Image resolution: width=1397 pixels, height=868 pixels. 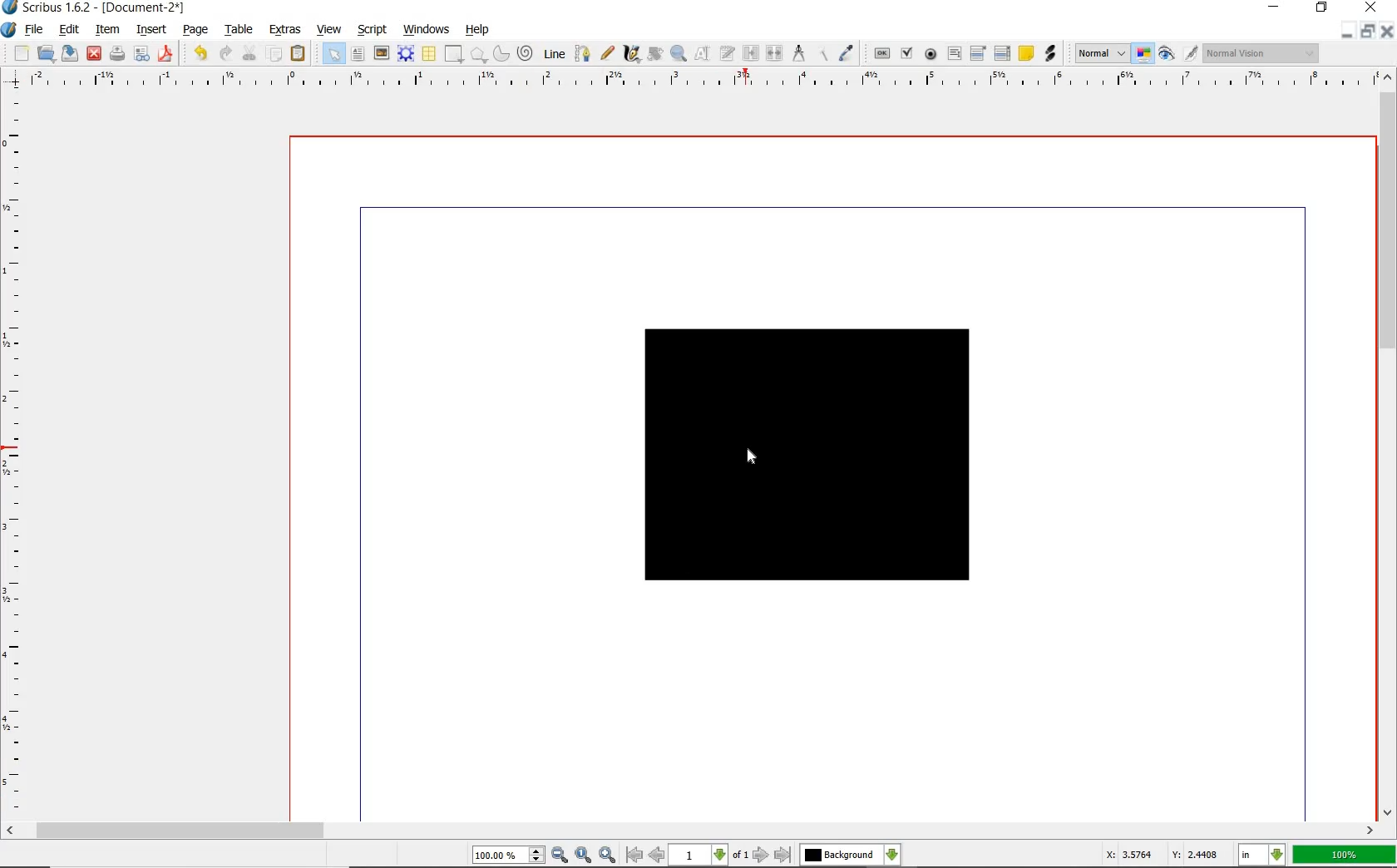 I want to click on ruler, so click(x=696, y=81).